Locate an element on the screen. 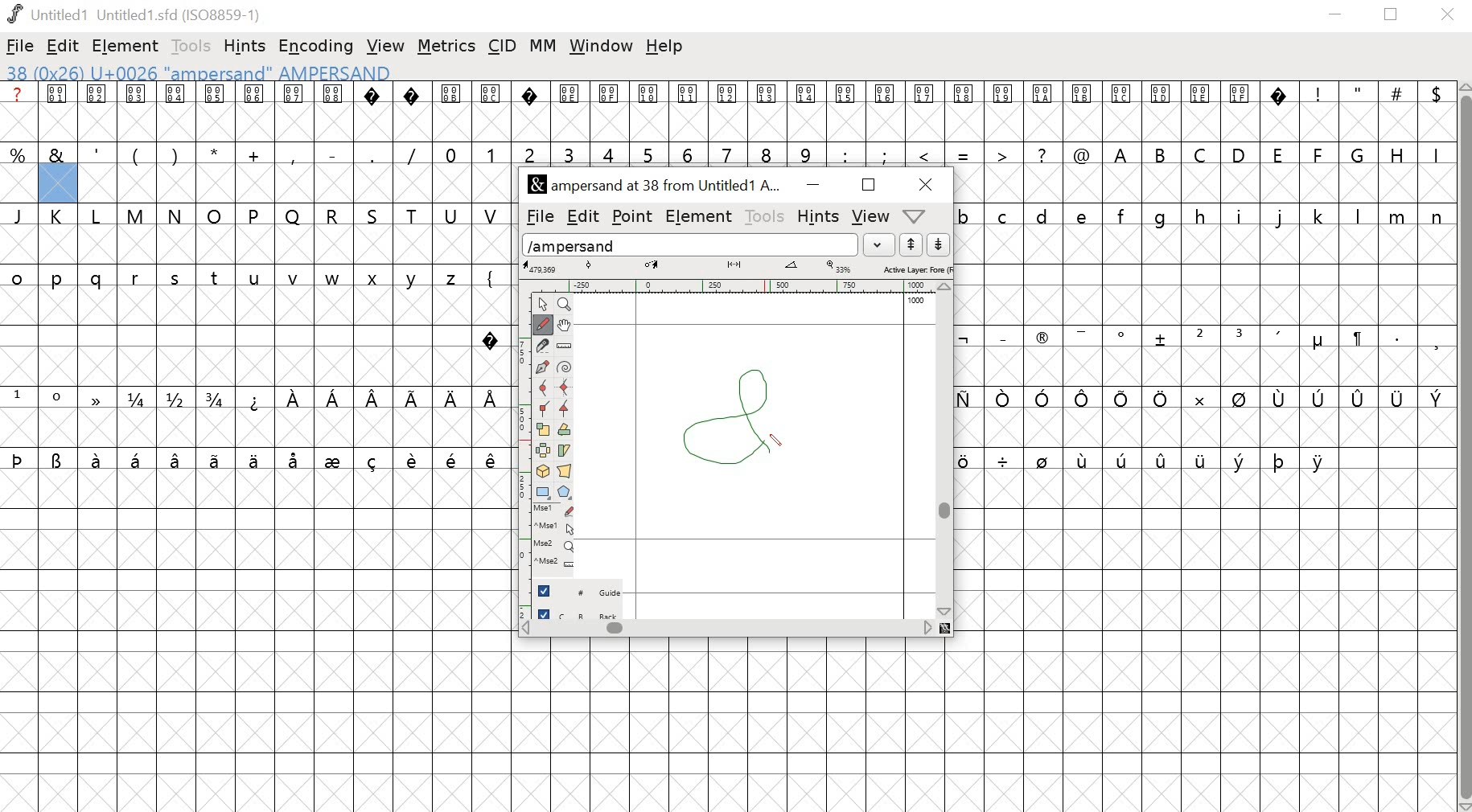 The width and height of the screenshot is (1472, 812). scale the selection is located at coordinates (543, 430).